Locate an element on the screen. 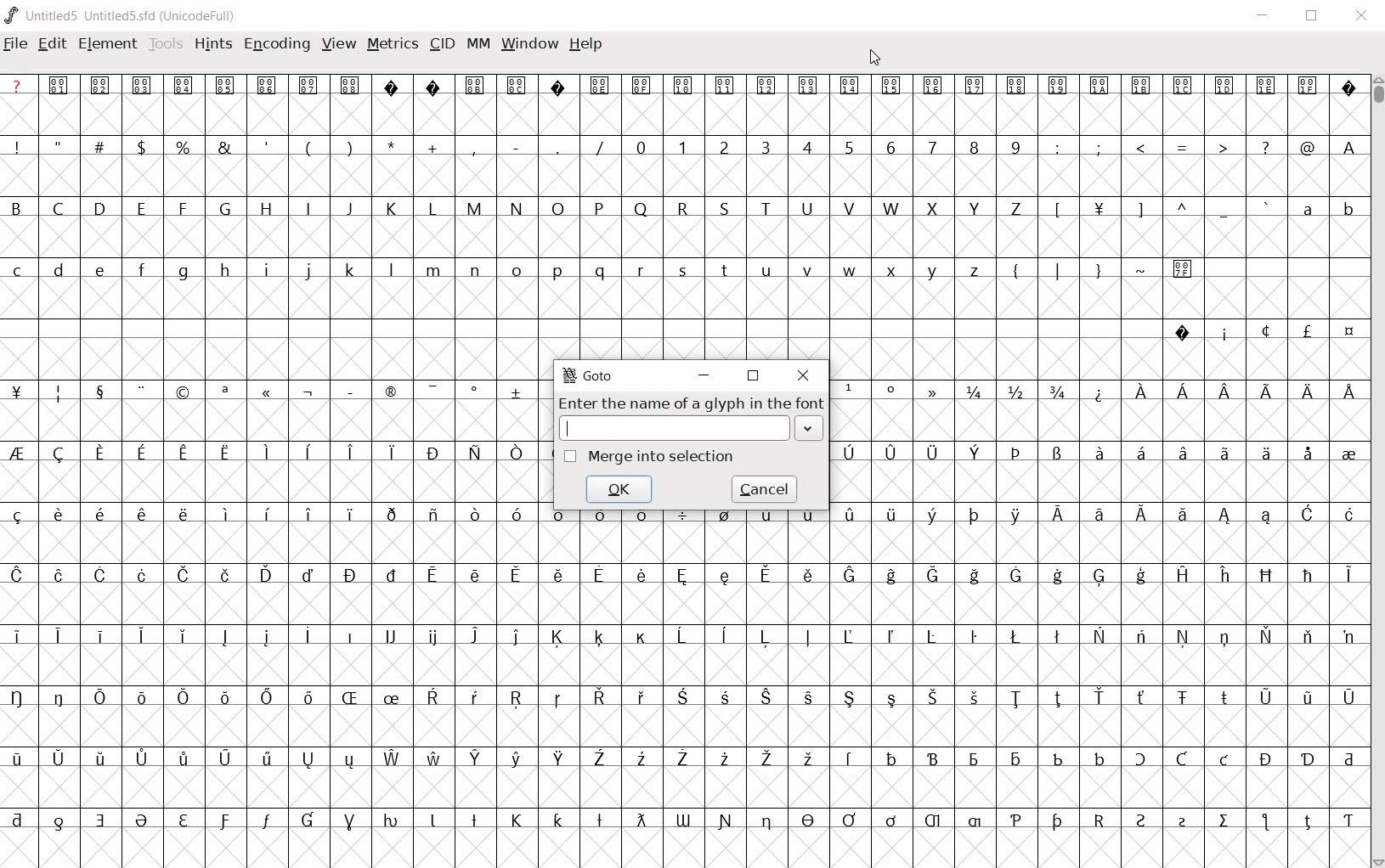 The width and height of the screenshot is (1385, 868). Symbol is located at coordinates (1309, 516).